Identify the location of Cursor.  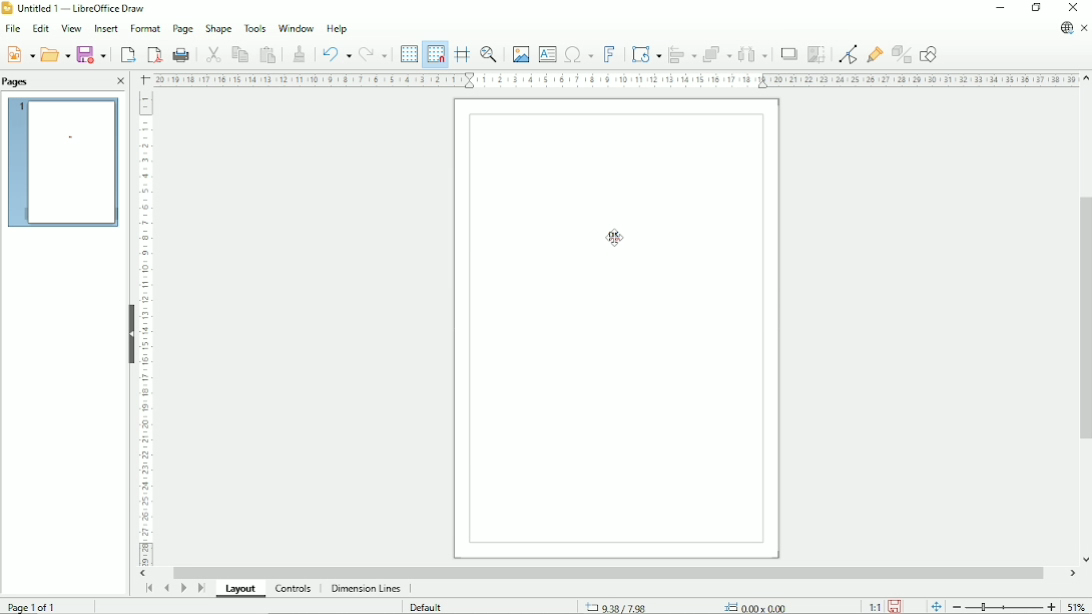
(615, 237).